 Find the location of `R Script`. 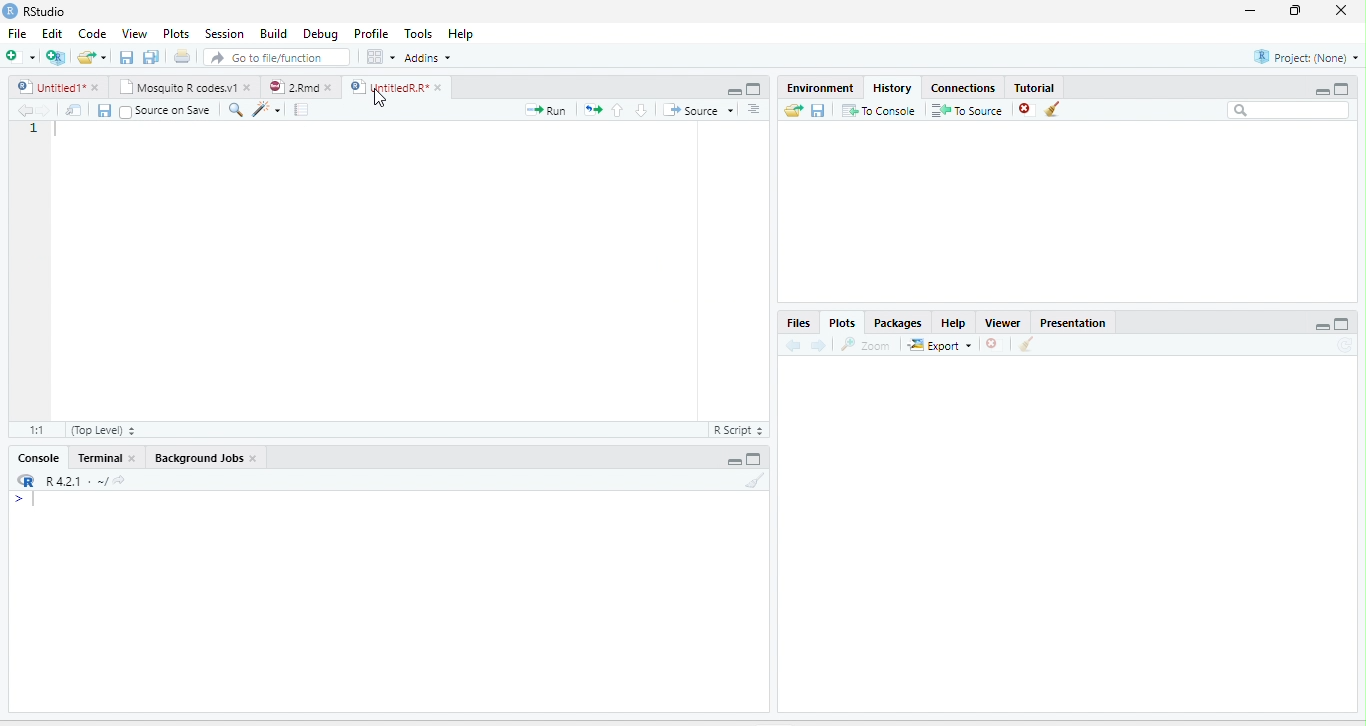

R Script is located at coordinates (739, 430).